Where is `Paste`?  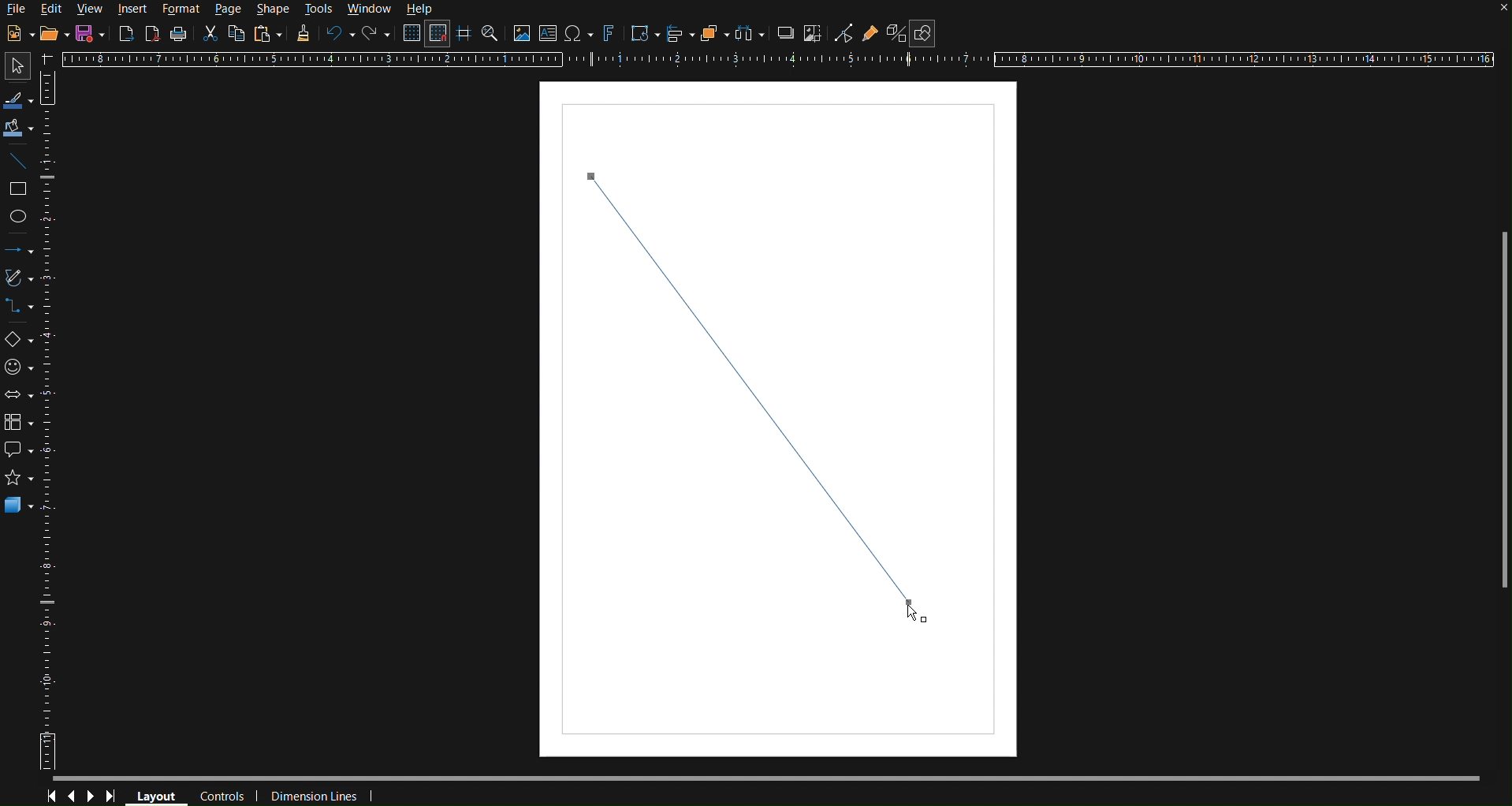
Paste is located at coordinates (266, 34).